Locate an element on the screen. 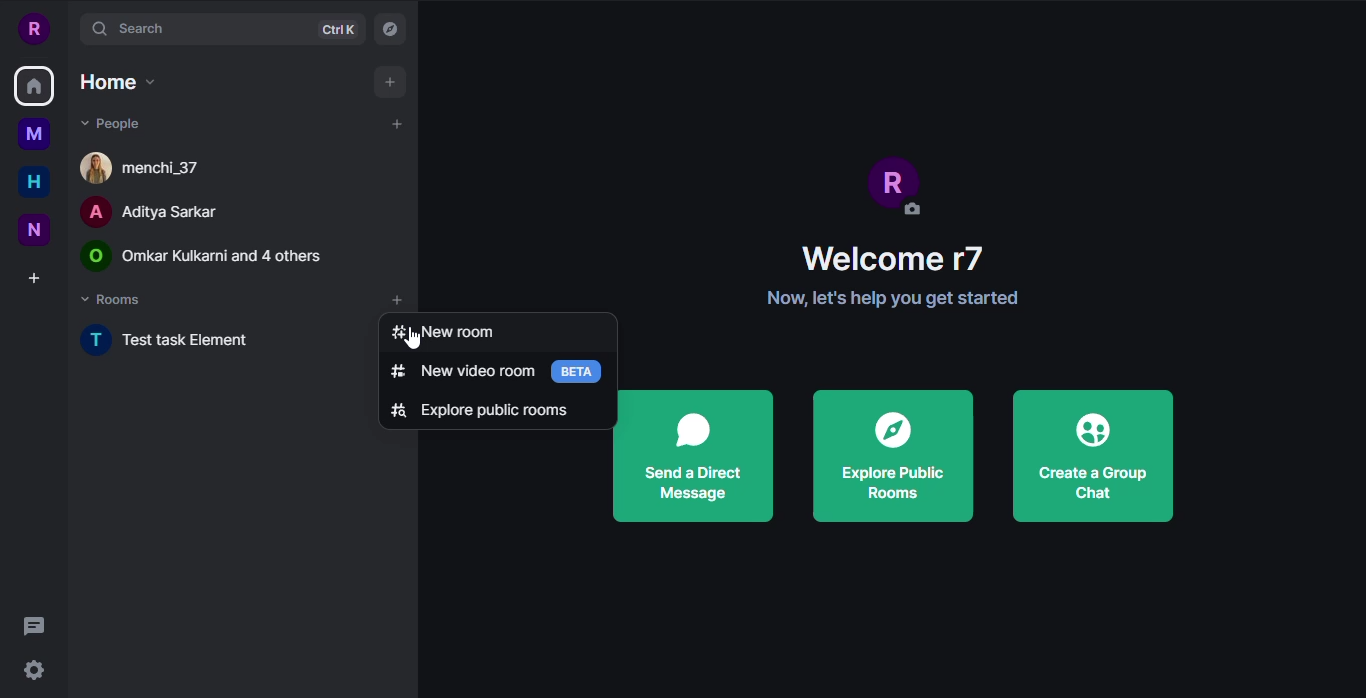 This screenshot has height=698, width=1366. welcome is located at coordinates (895, 259).